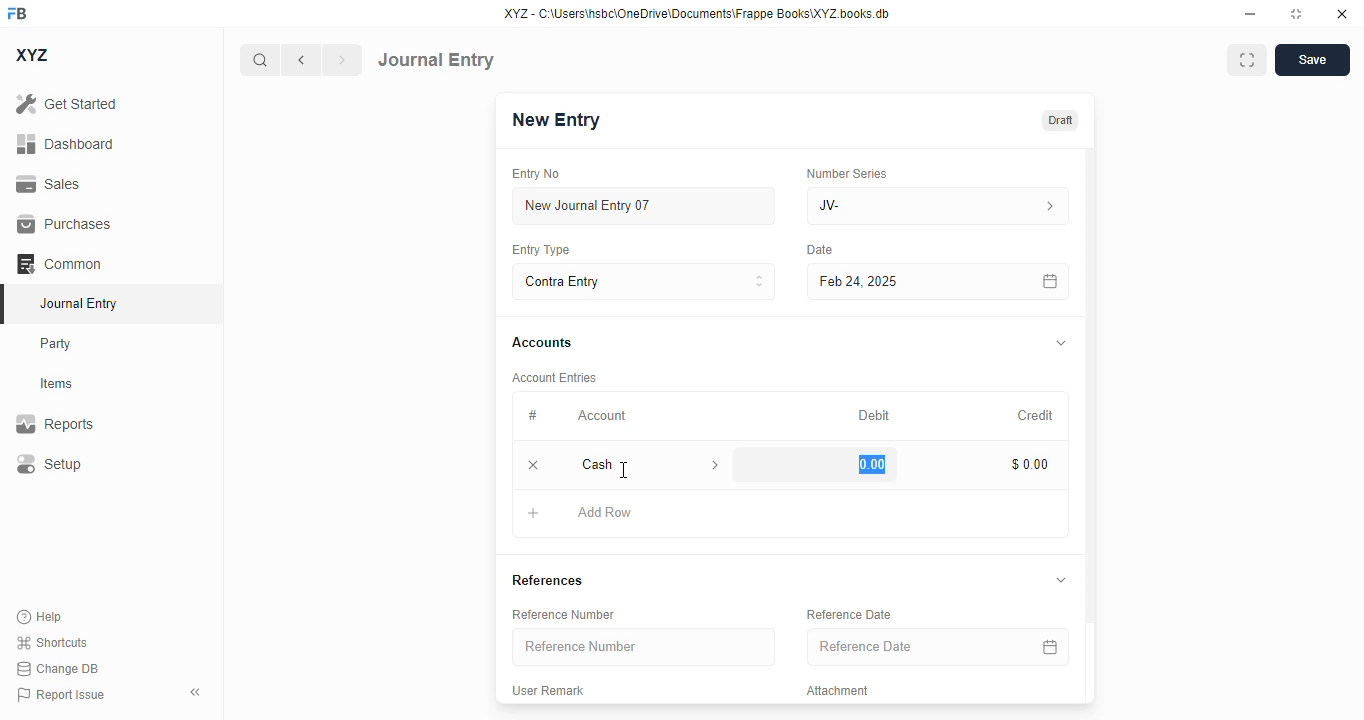  Describe the element at coordinates (533, 513) in the screenshot. I see `add button` at that location.